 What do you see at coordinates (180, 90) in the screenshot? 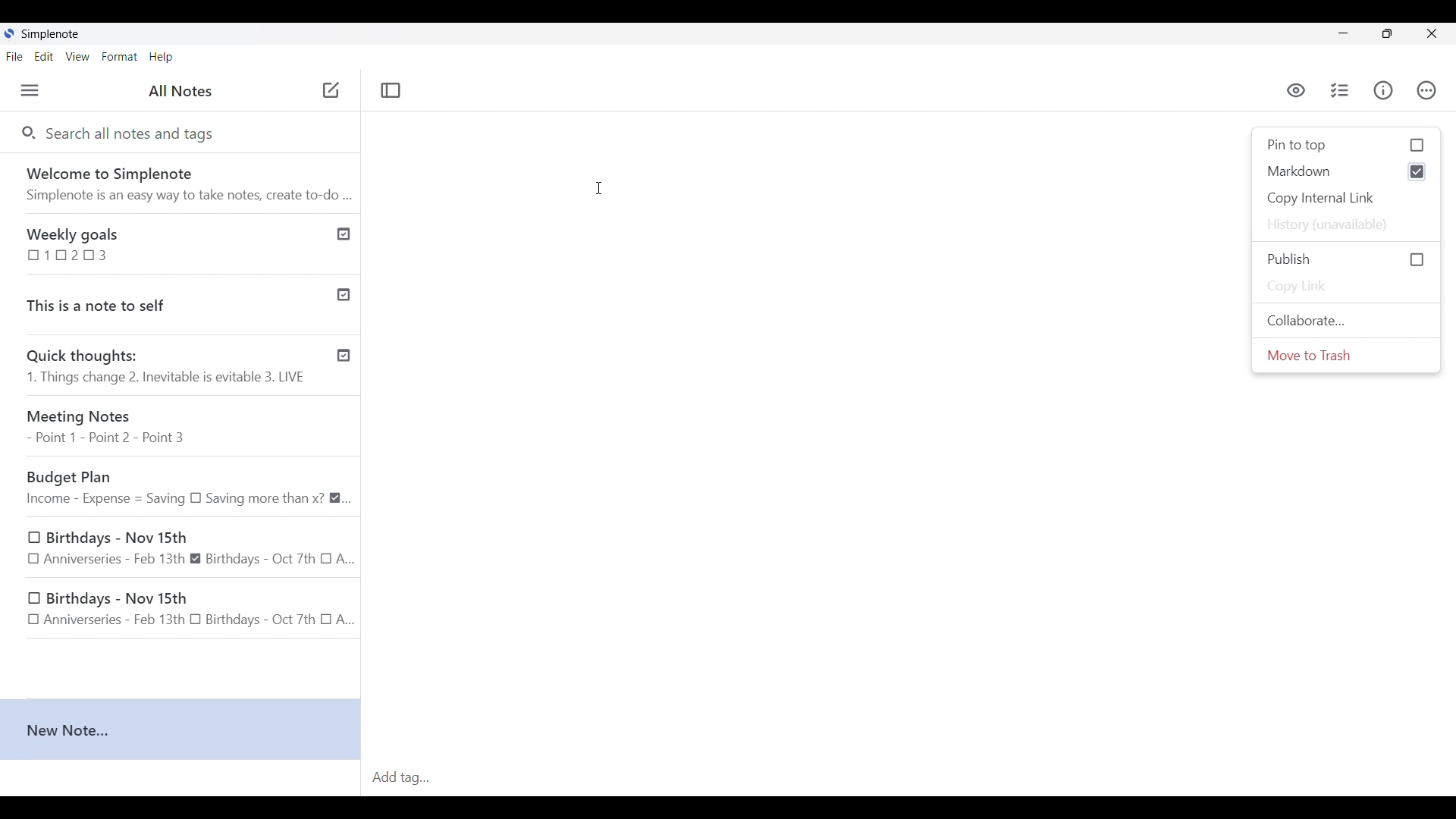
I see `Title of left panel` at bounding box center [180, 90].